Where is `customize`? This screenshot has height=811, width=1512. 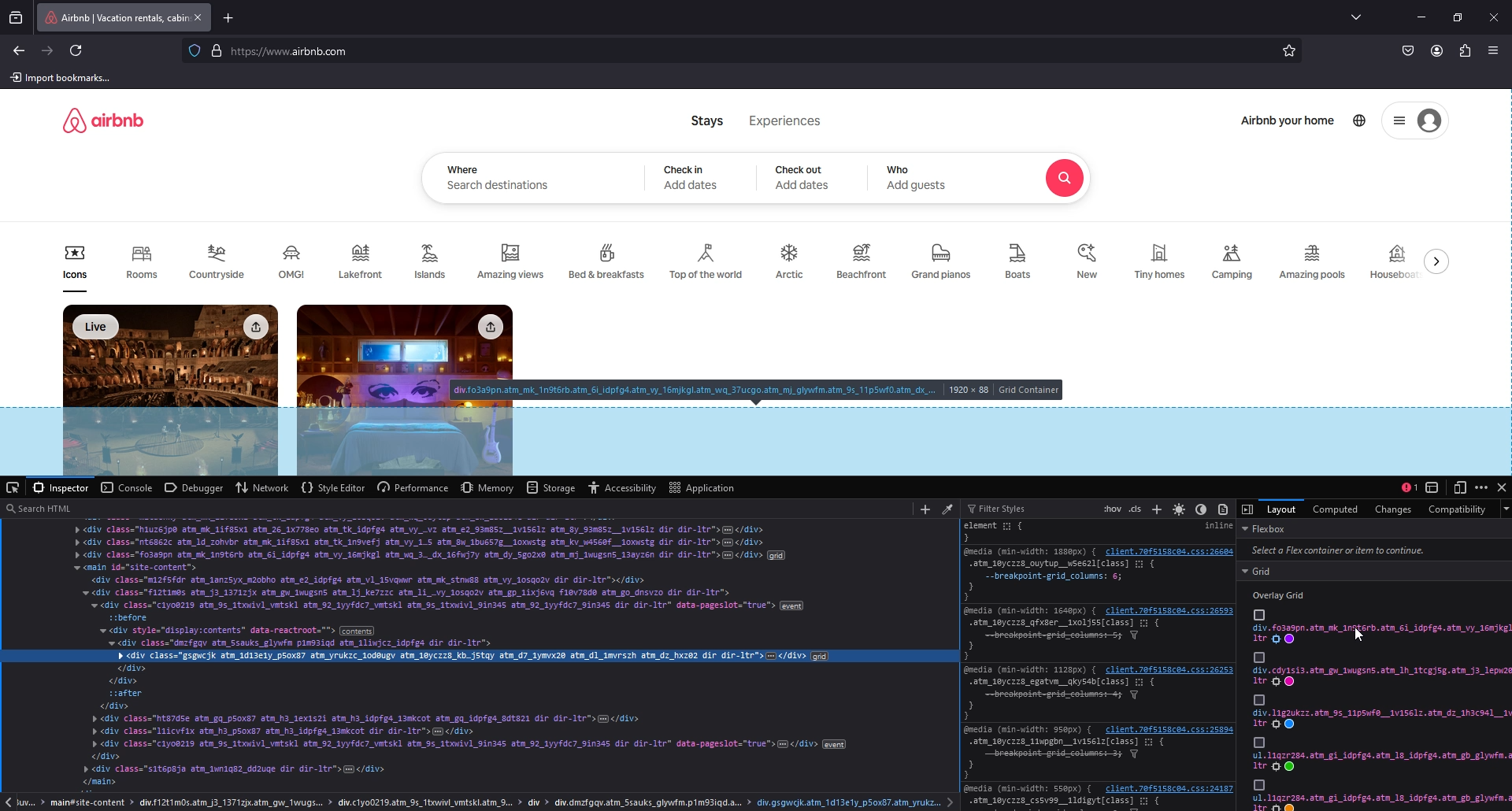 customize is located at coordinates (1483, 487).